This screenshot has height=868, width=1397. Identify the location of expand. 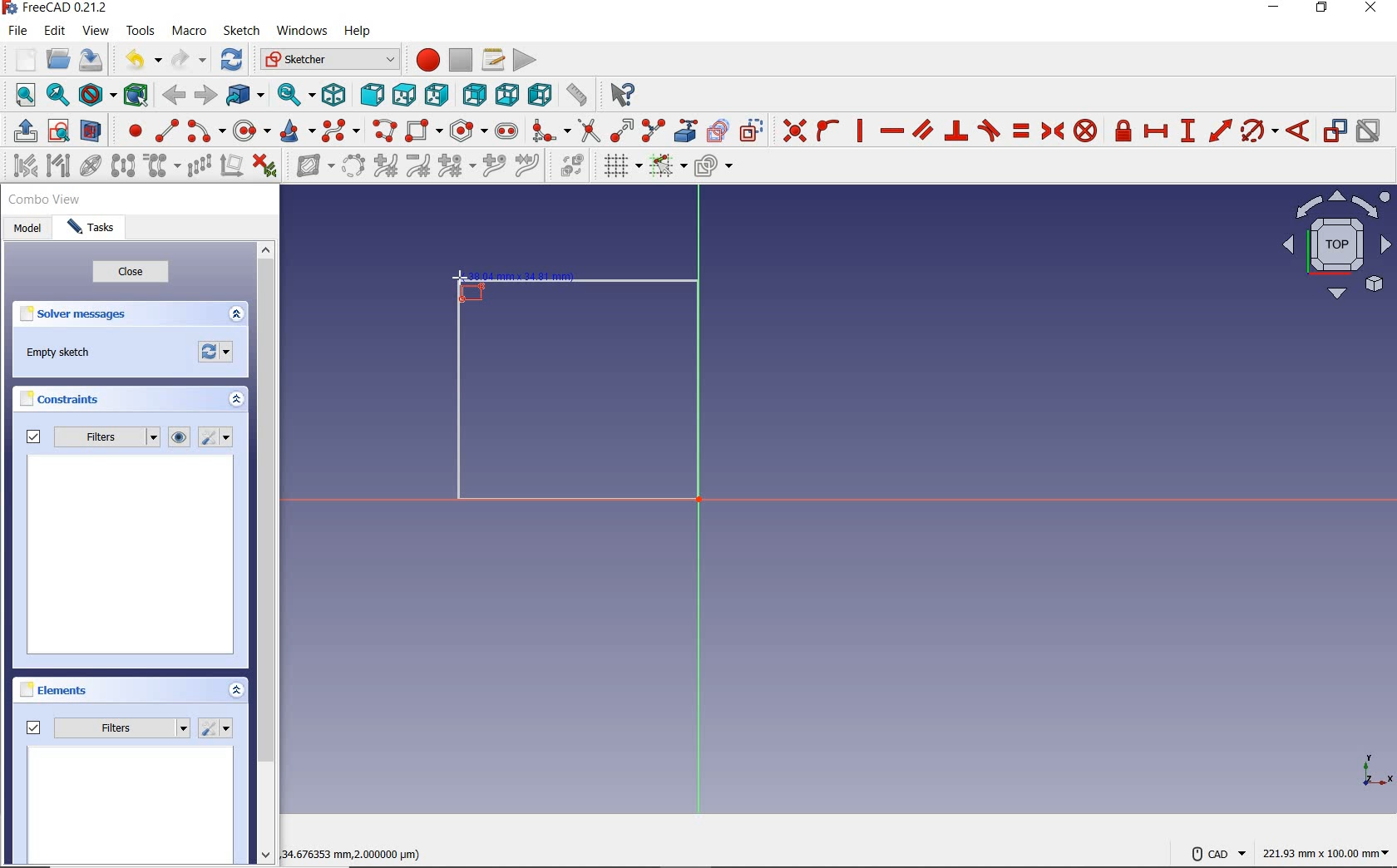
(236, 315).